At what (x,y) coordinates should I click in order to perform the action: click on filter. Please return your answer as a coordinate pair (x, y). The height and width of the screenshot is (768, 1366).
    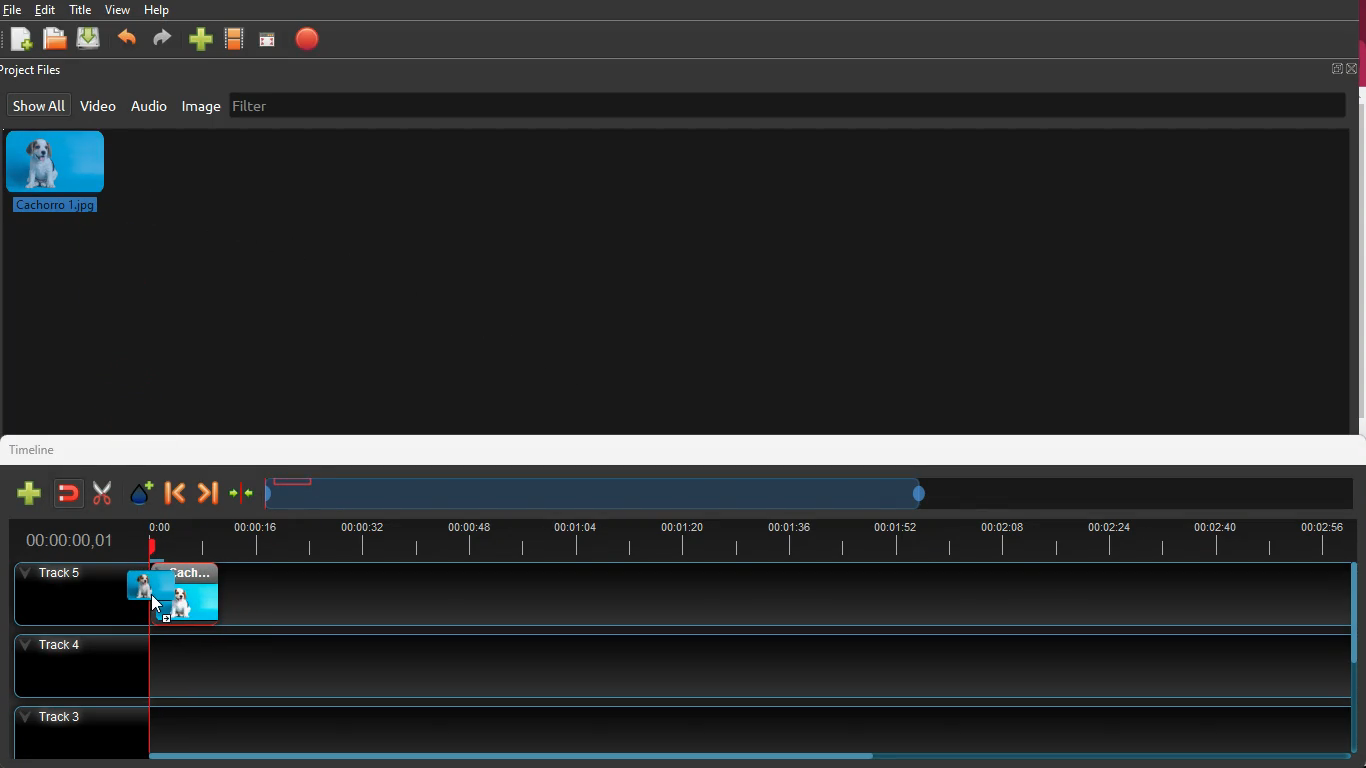
    Looking at the image, I should click on (359, 103).